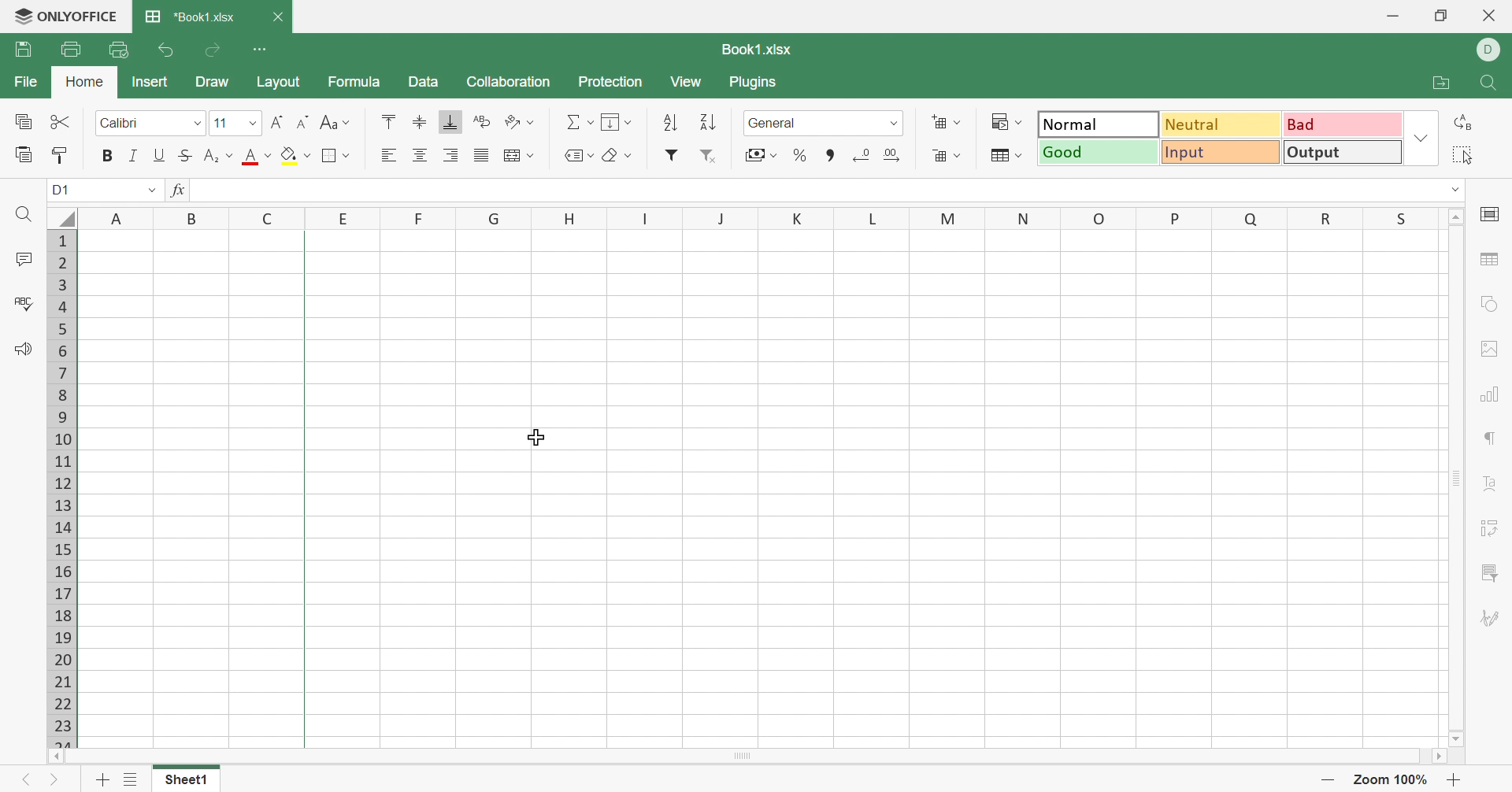  I want to click on Restore Down, so click(1442, 16).